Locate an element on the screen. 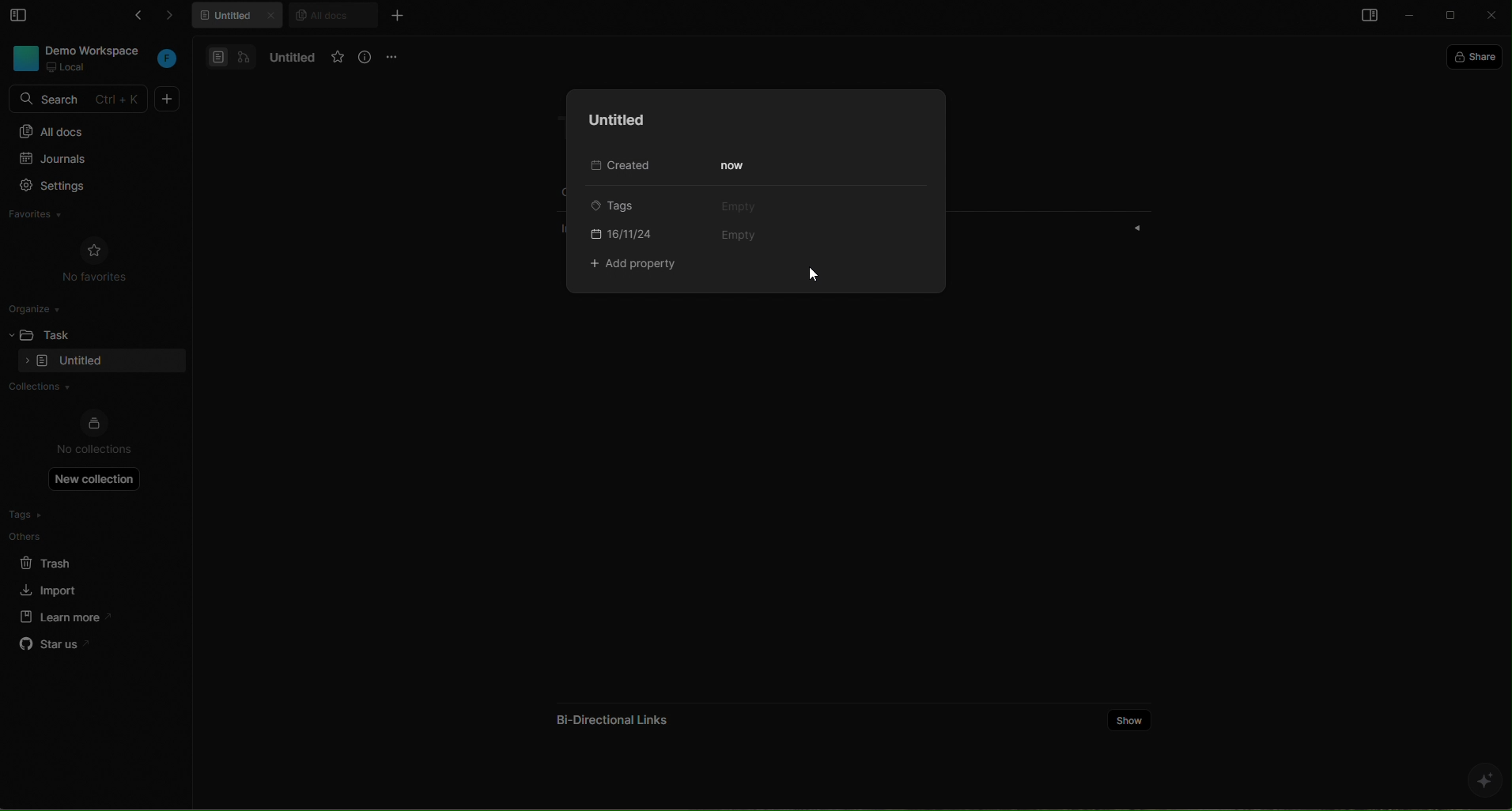  options is located at coordinates (395, 56).